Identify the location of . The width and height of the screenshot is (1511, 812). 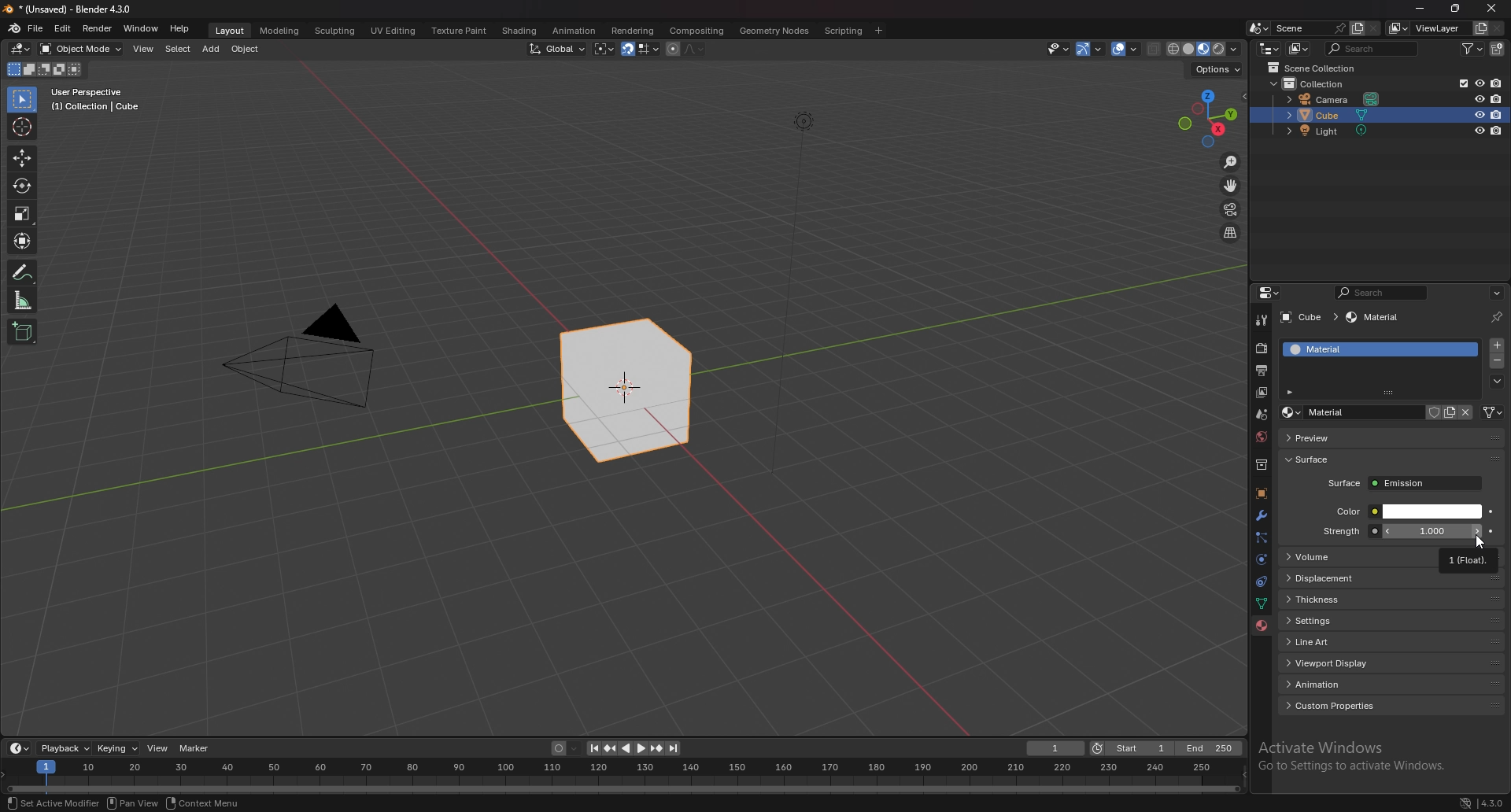
(50, 803).